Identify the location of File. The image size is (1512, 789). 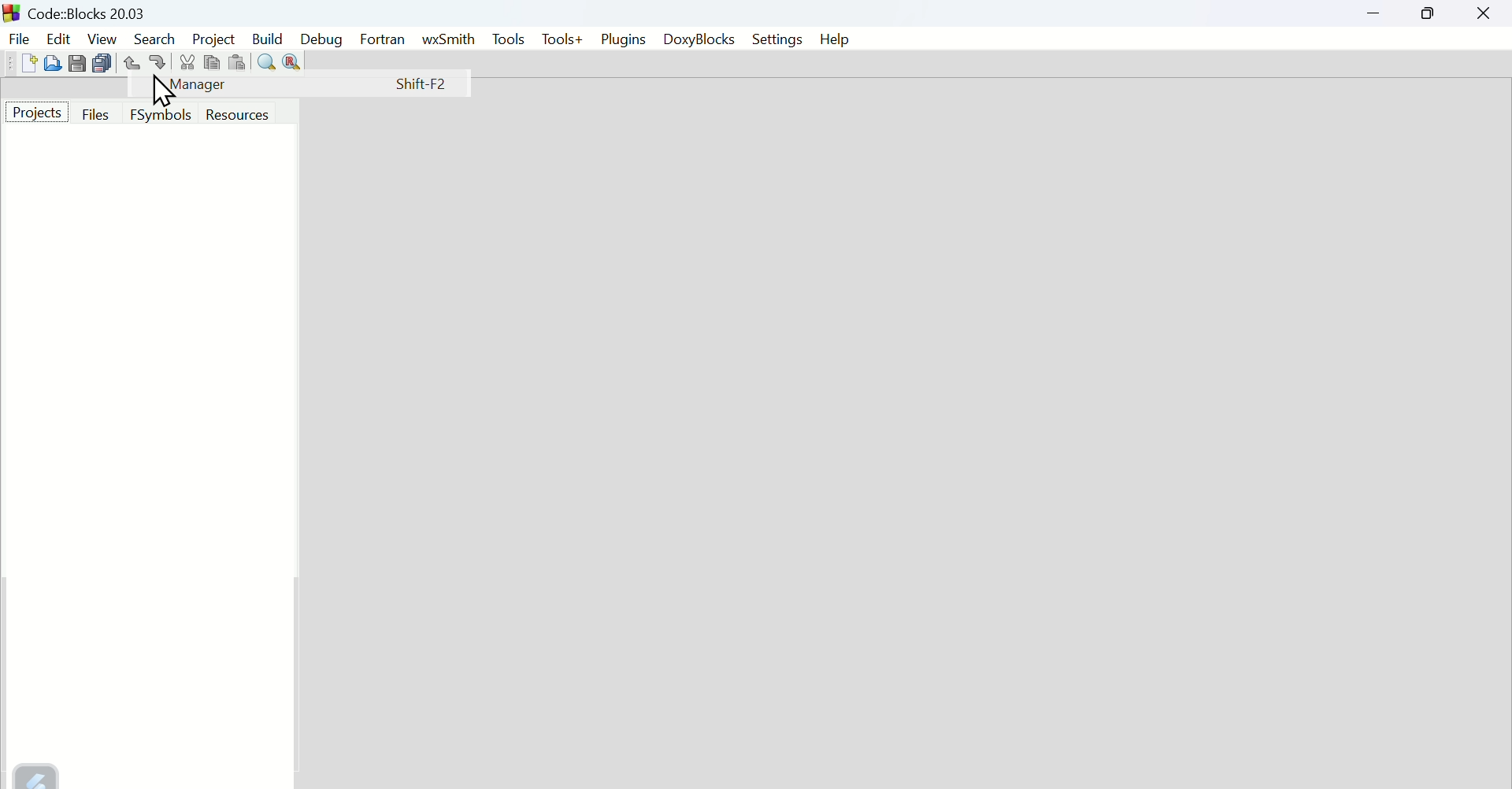
(18, 39).